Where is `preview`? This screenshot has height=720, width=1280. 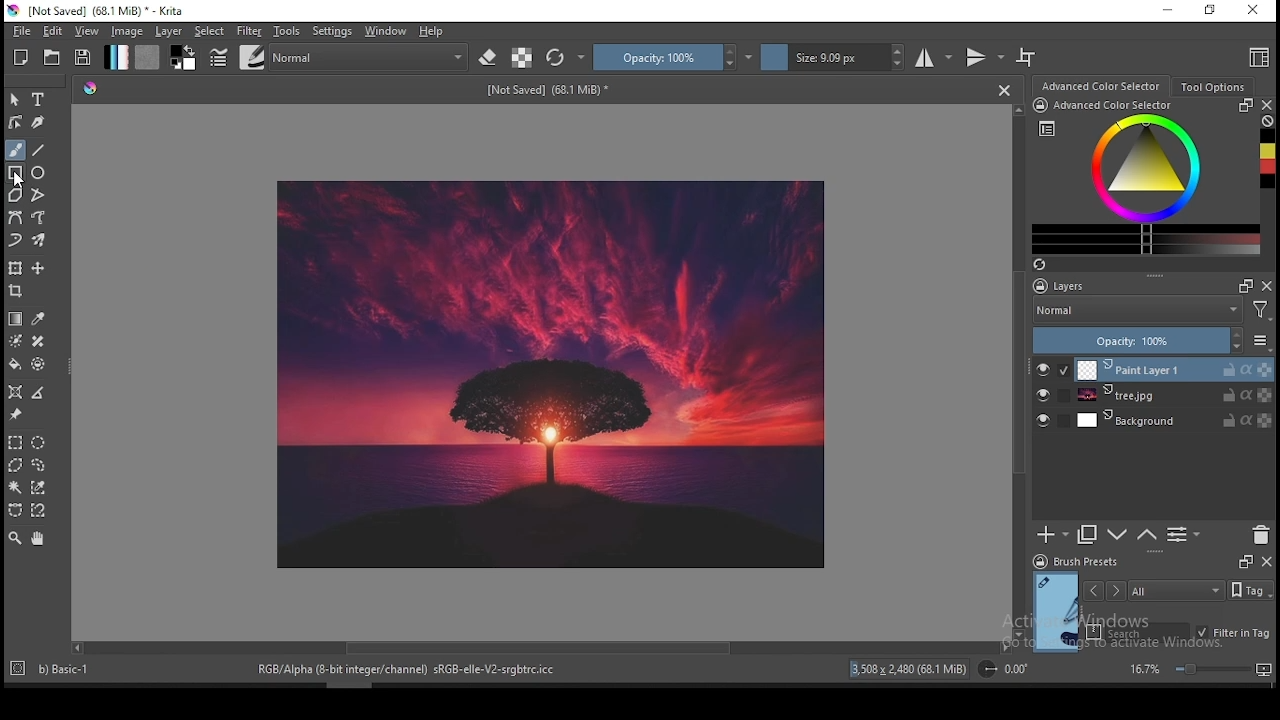
preview is located at coordinates (1054, 610).